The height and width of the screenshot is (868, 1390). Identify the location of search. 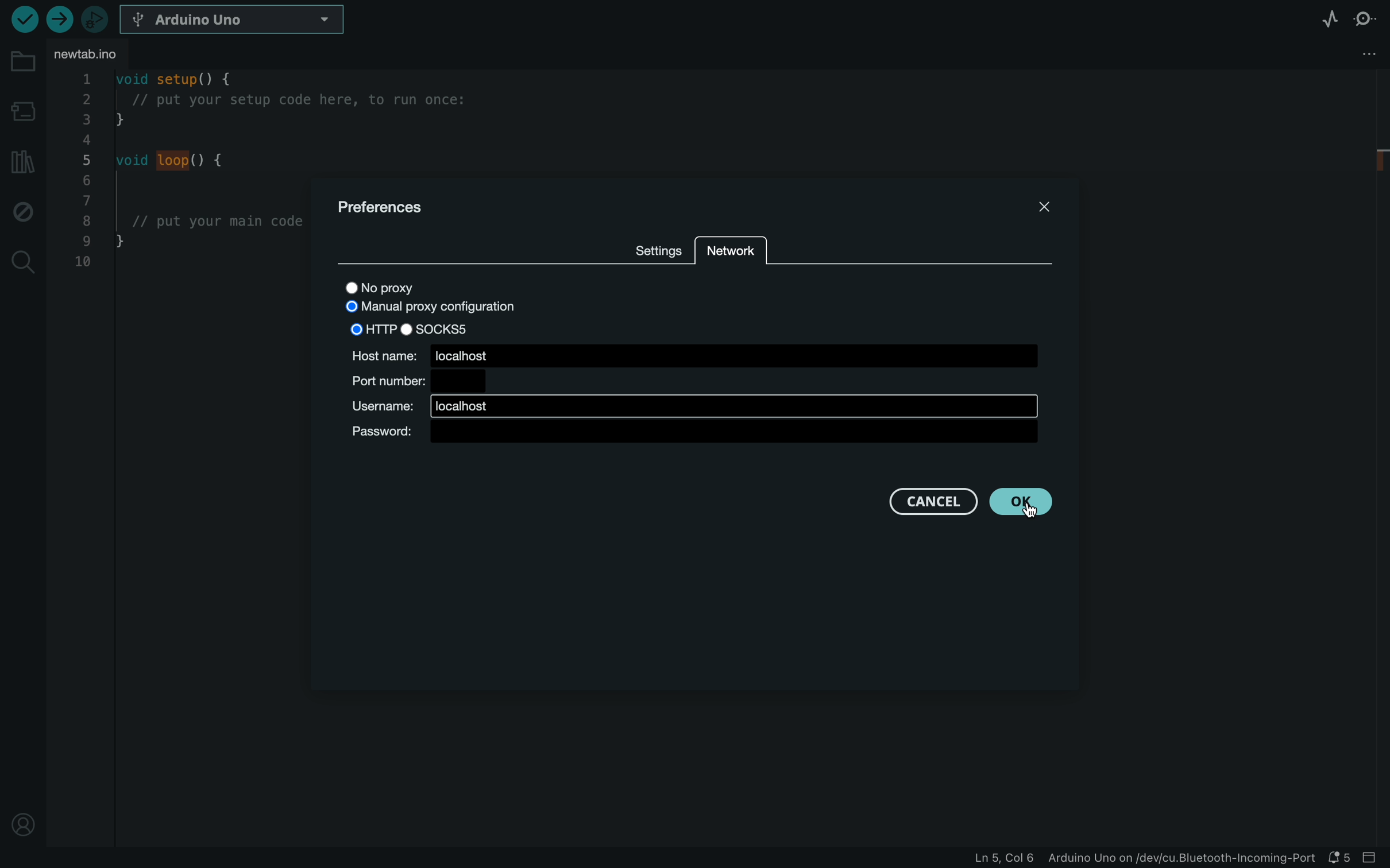
(23, 262).